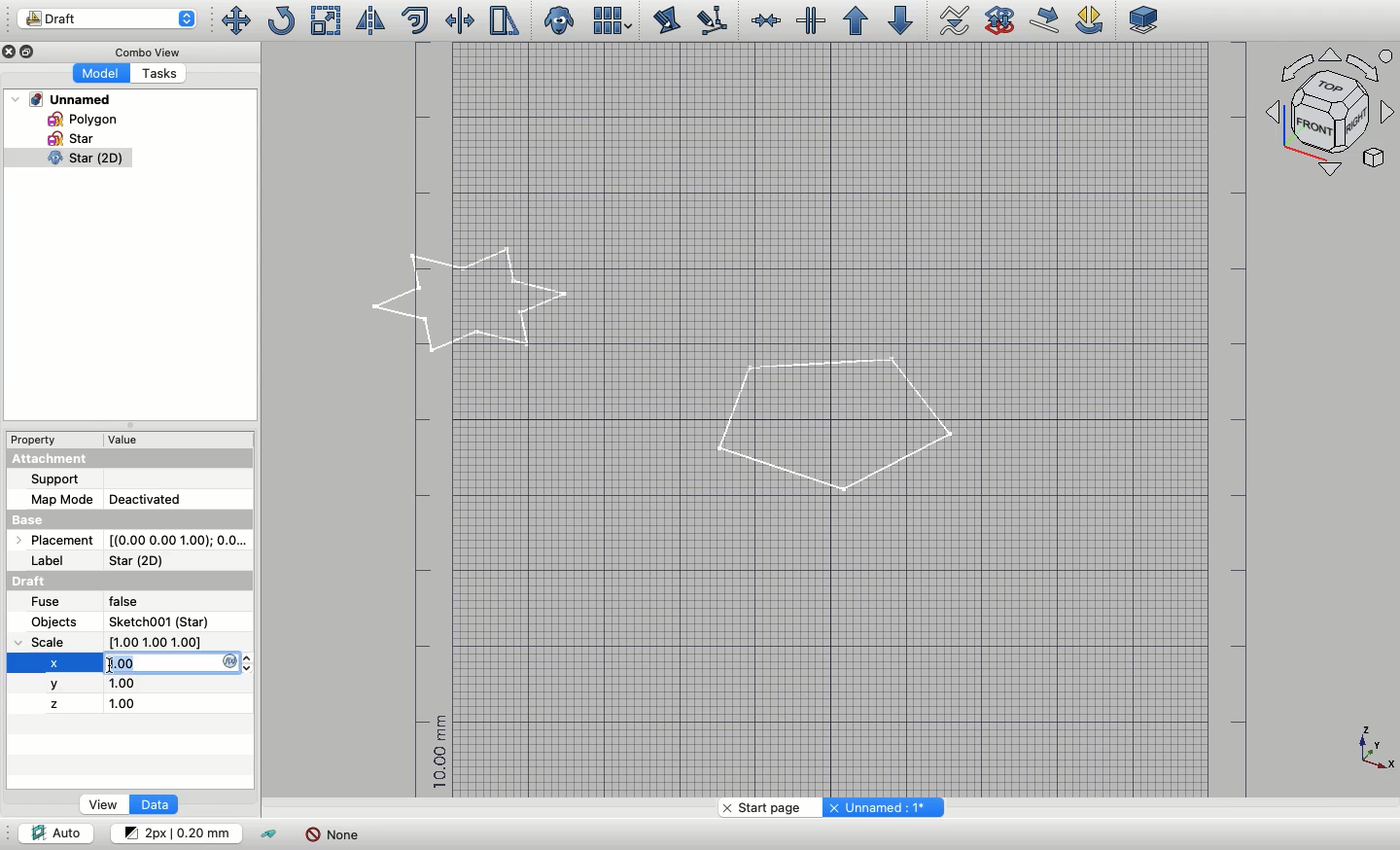  What do you see at coordinates (415, 20) in the screenshot?
I see `Offset` at bounding box center [415, 20].